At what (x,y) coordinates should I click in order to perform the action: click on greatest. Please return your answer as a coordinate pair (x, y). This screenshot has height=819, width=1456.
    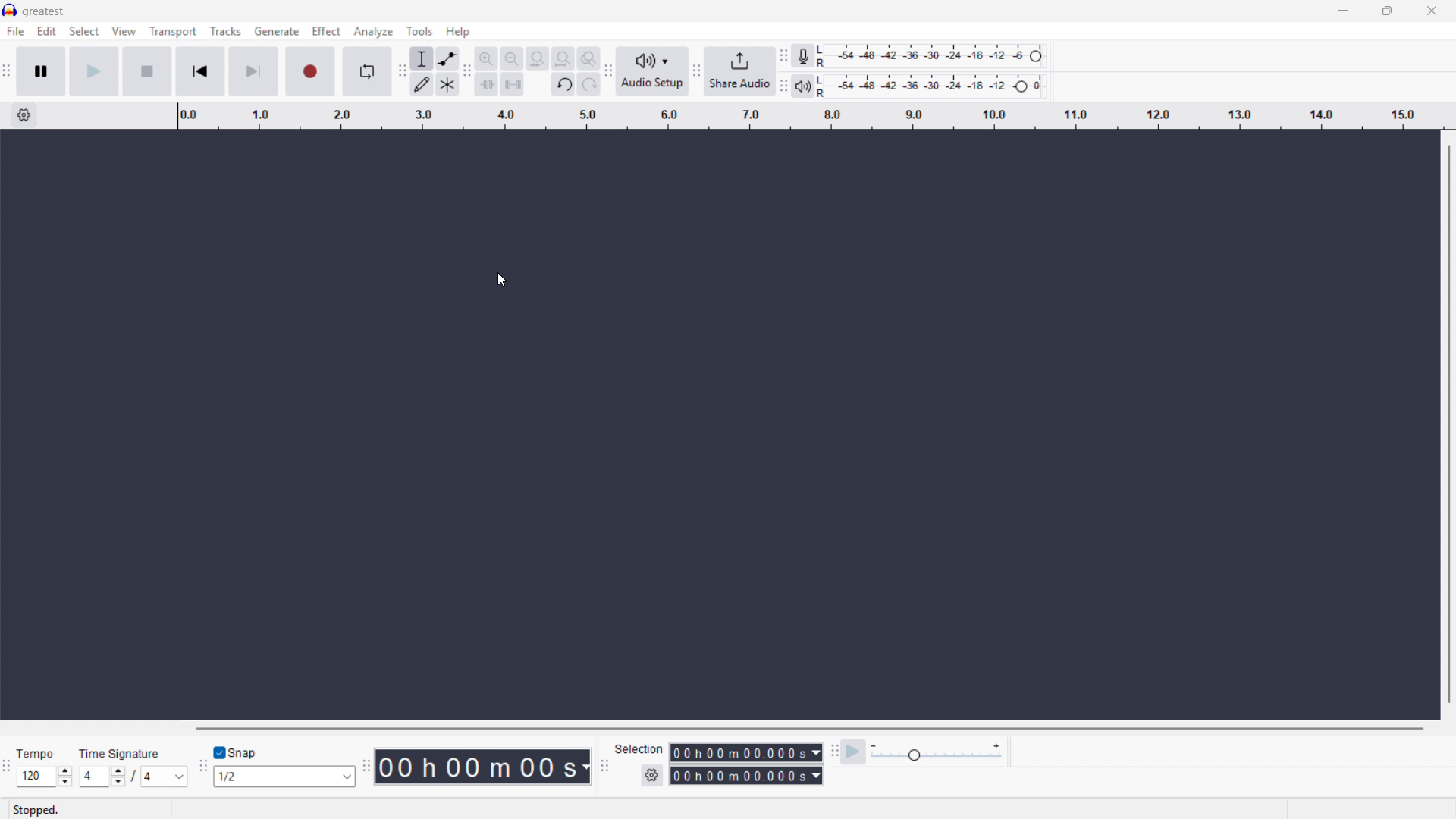
    Looking at the image, I should click on (44, 11).